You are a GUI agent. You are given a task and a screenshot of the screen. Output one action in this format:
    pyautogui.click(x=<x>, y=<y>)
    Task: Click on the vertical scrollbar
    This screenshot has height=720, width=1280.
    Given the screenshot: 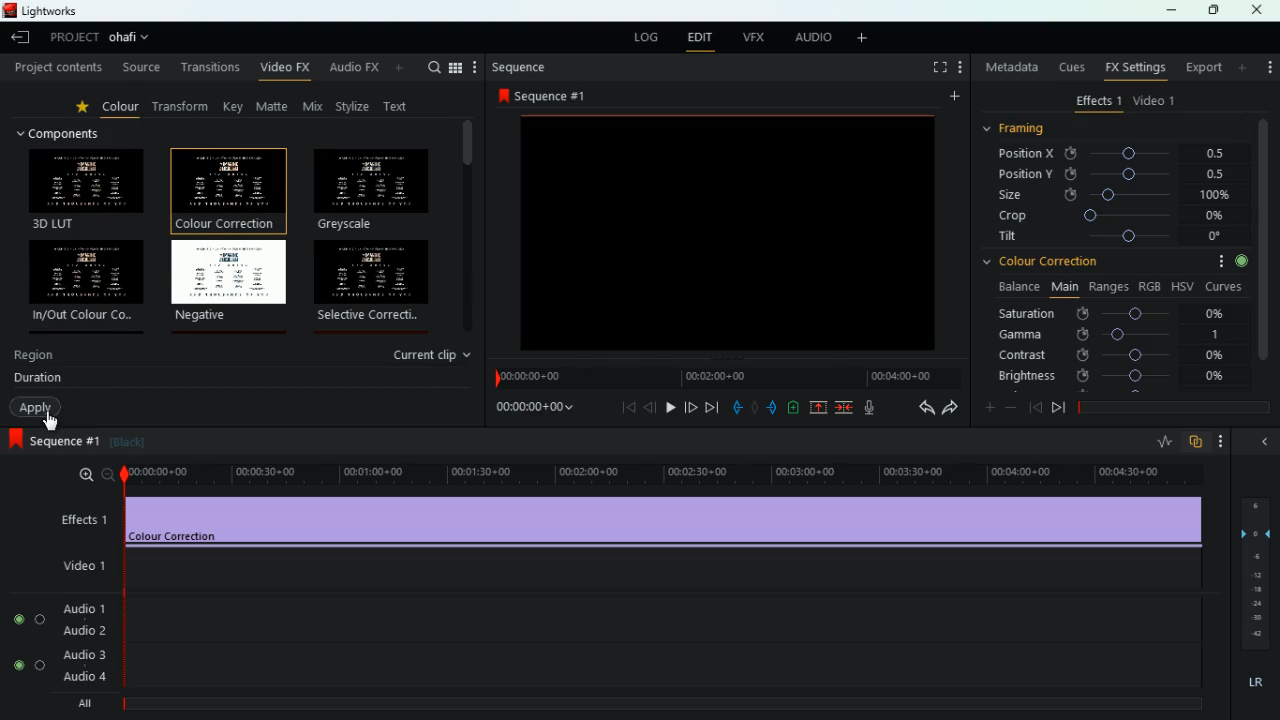 What is the action you would take?
    pyautogui.click(x=469, y=227)
    